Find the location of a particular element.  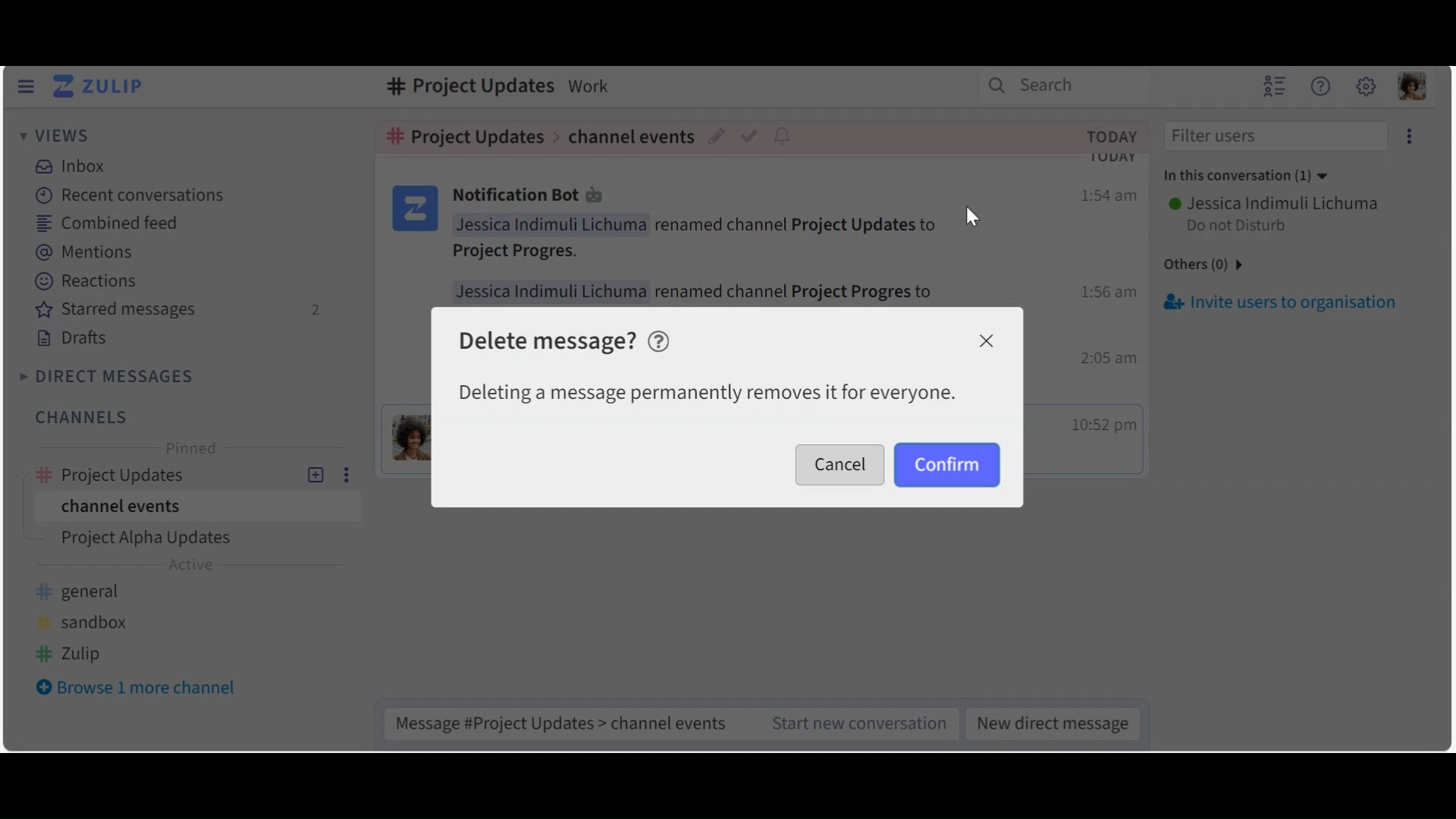

time is located at coordinates (1109, 311).